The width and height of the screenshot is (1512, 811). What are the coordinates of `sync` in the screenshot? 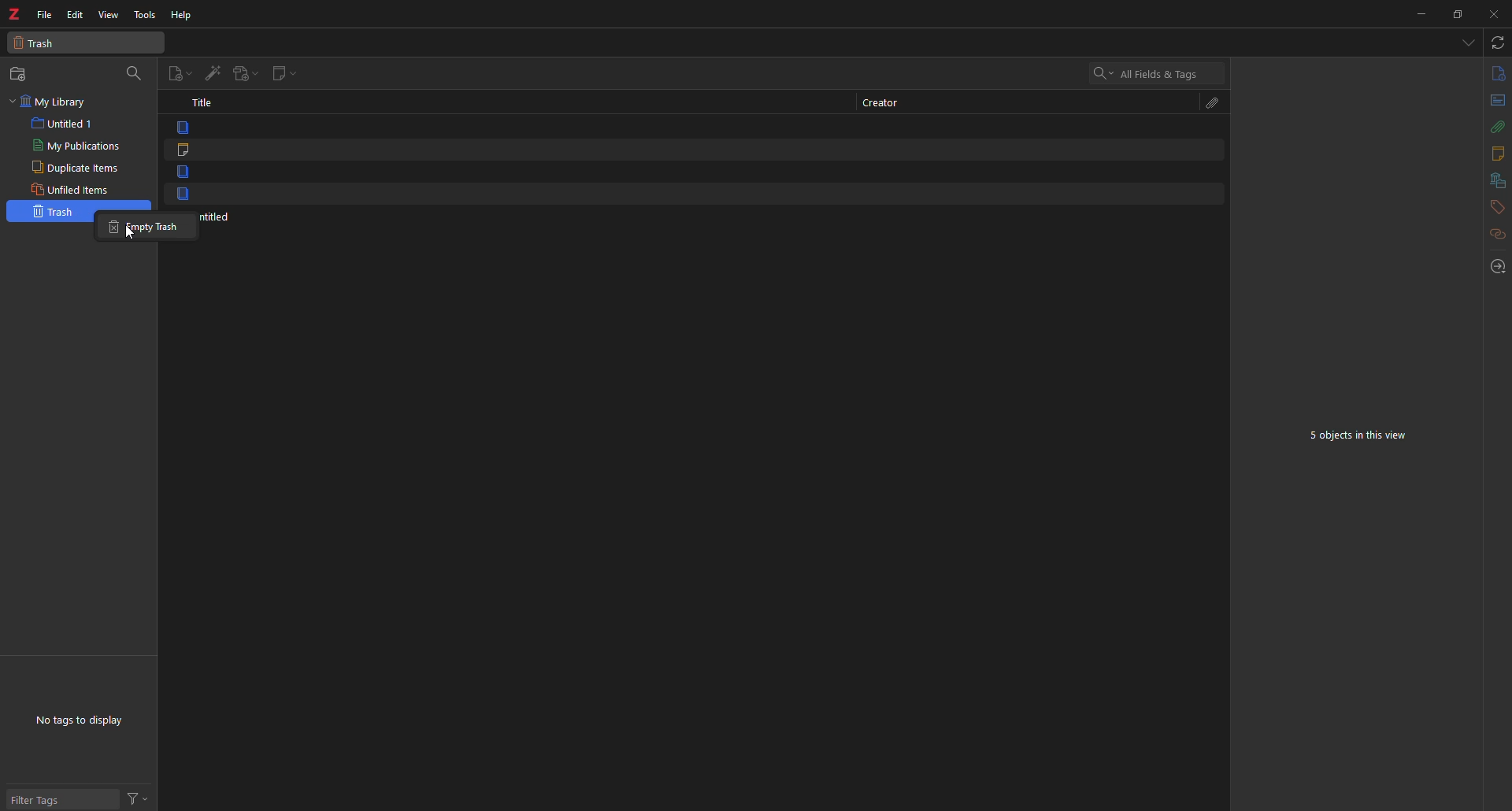 It's located at (1496, 43).